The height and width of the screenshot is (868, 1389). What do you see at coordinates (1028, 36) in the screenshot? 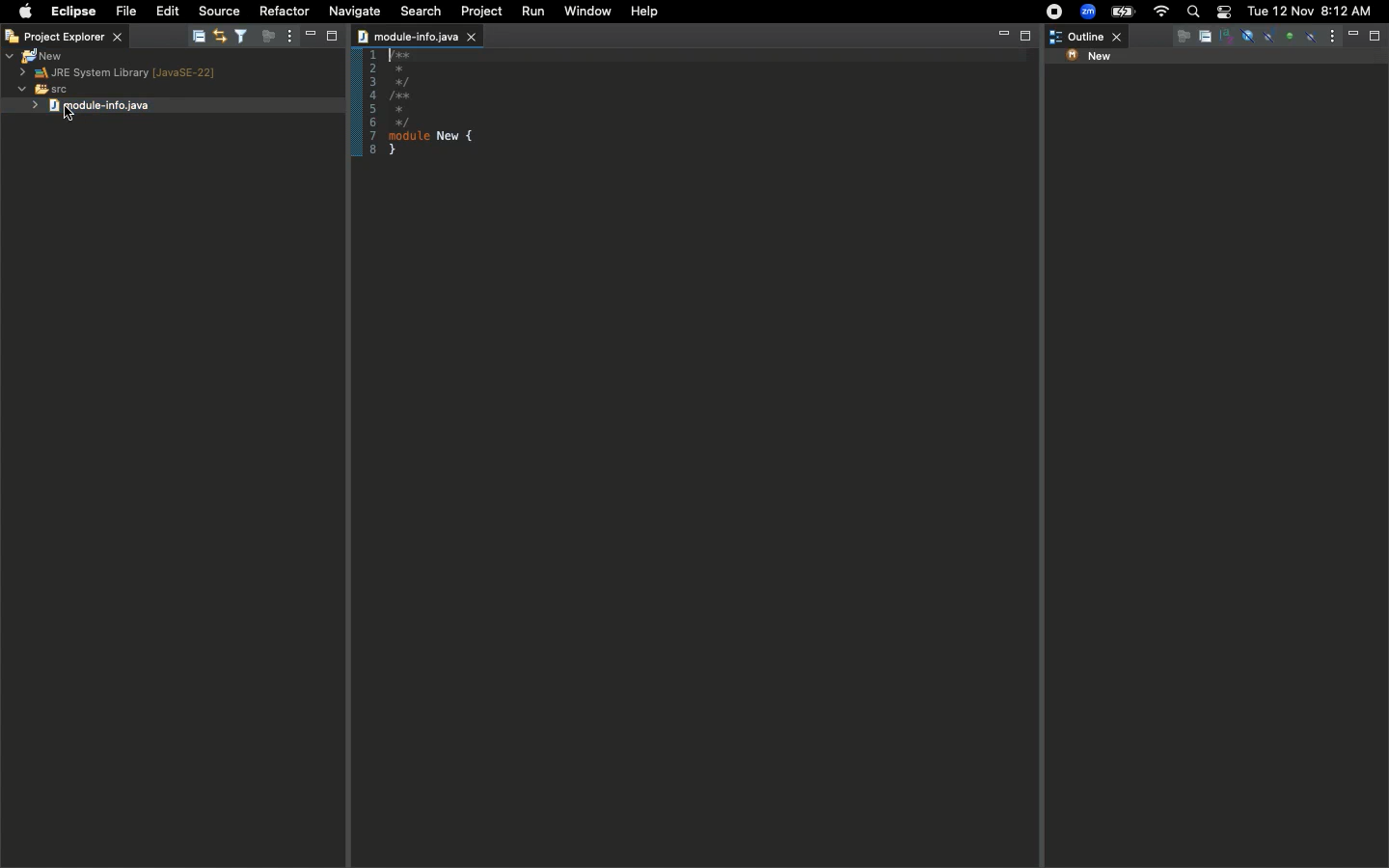
I see `Maximize` at bounding box center [1028, 36].